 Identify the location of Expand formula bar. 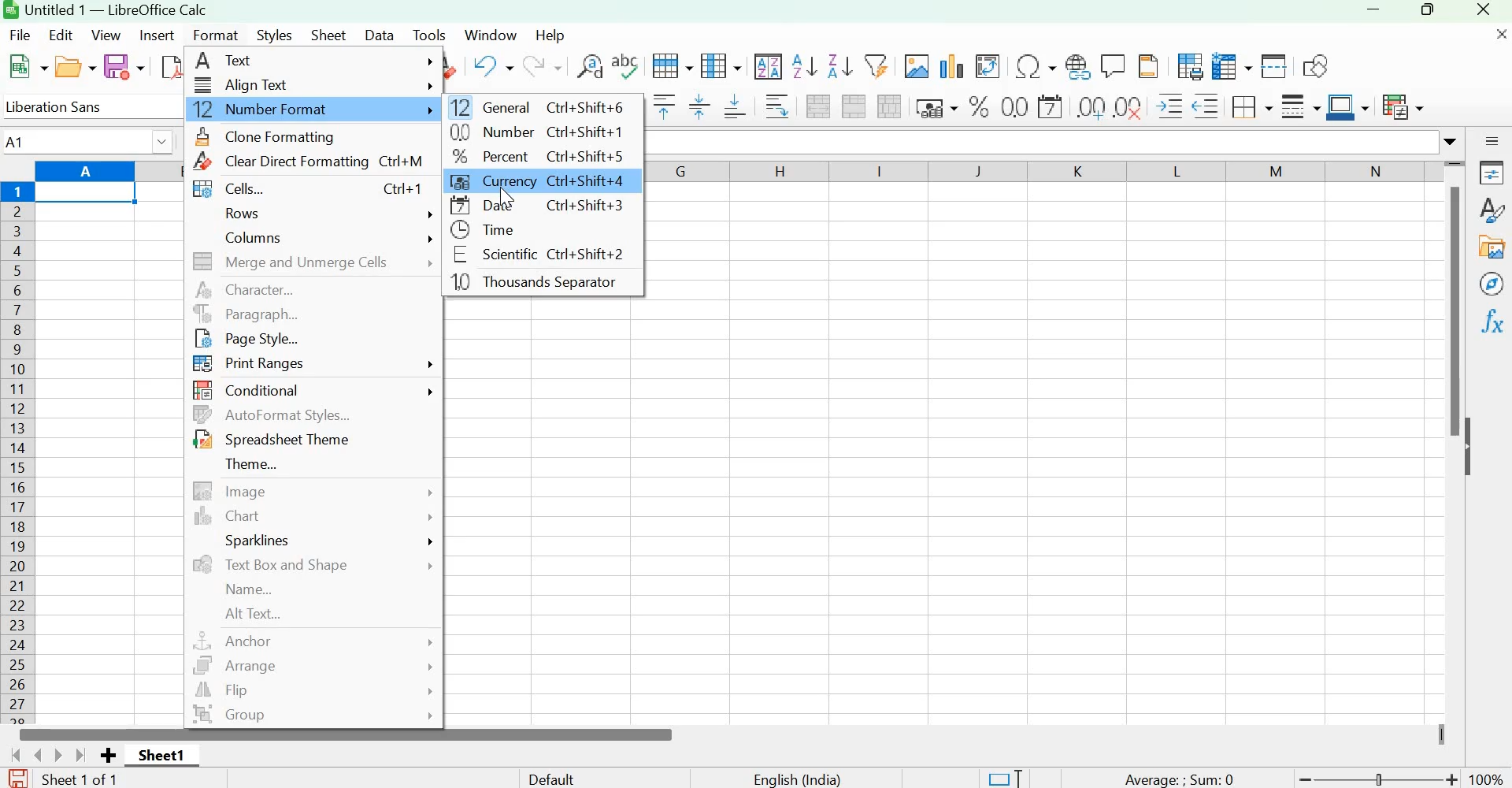
(1453, 141).